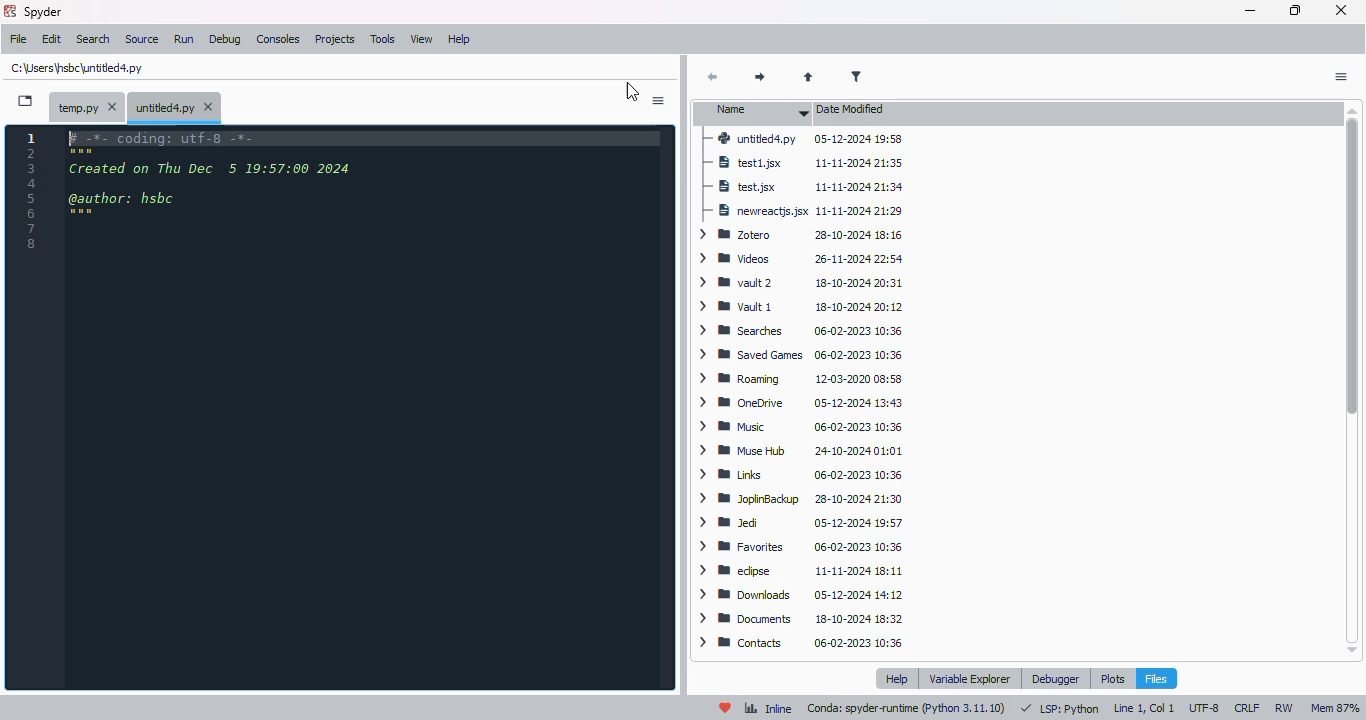 The image size is (1366, 720). Describe the element at coordinates (850, 110) in the screenshot. I see `date modified` at that location.